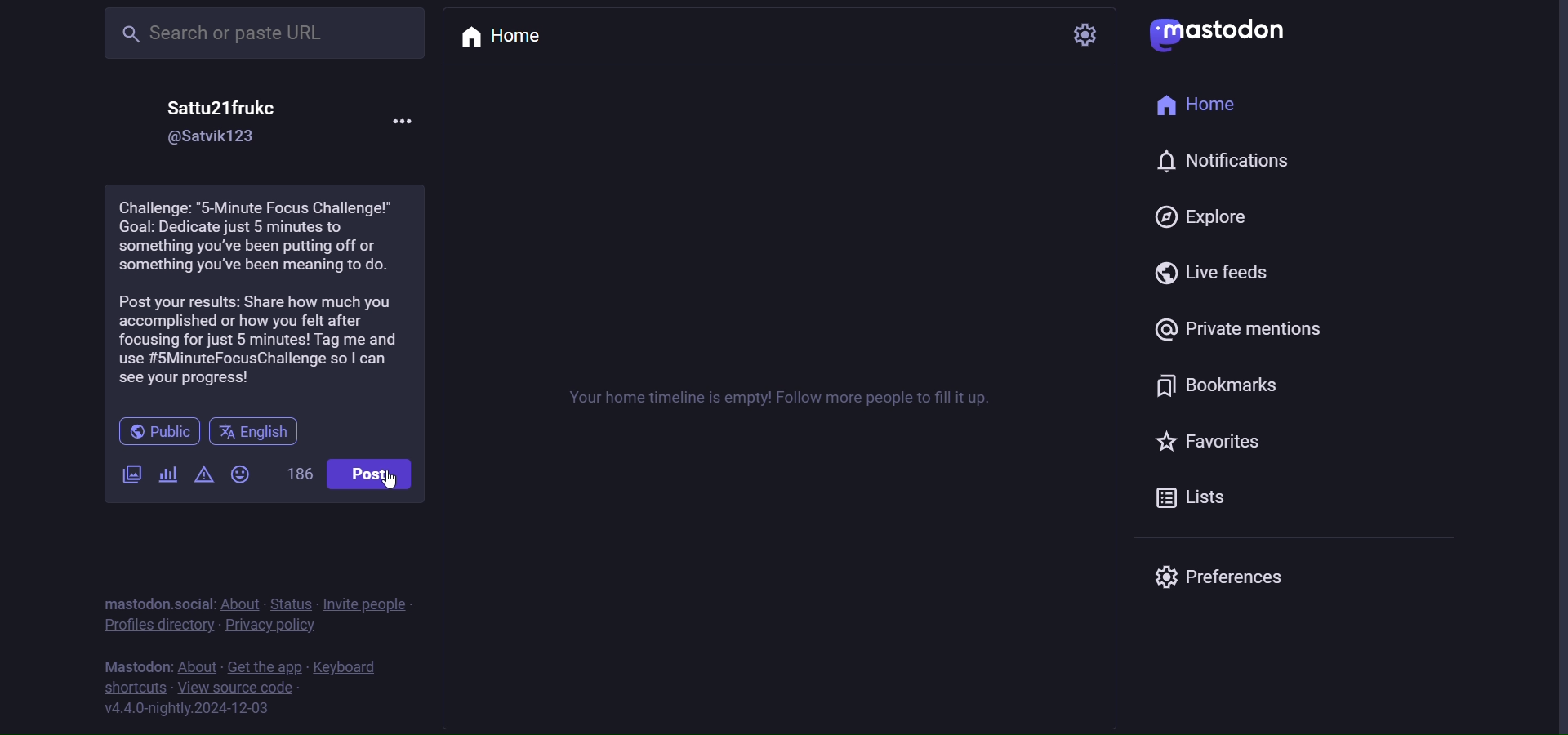  Describe the element at coordinates (238, 475) in the screenshot. I see `emoji` at that location.